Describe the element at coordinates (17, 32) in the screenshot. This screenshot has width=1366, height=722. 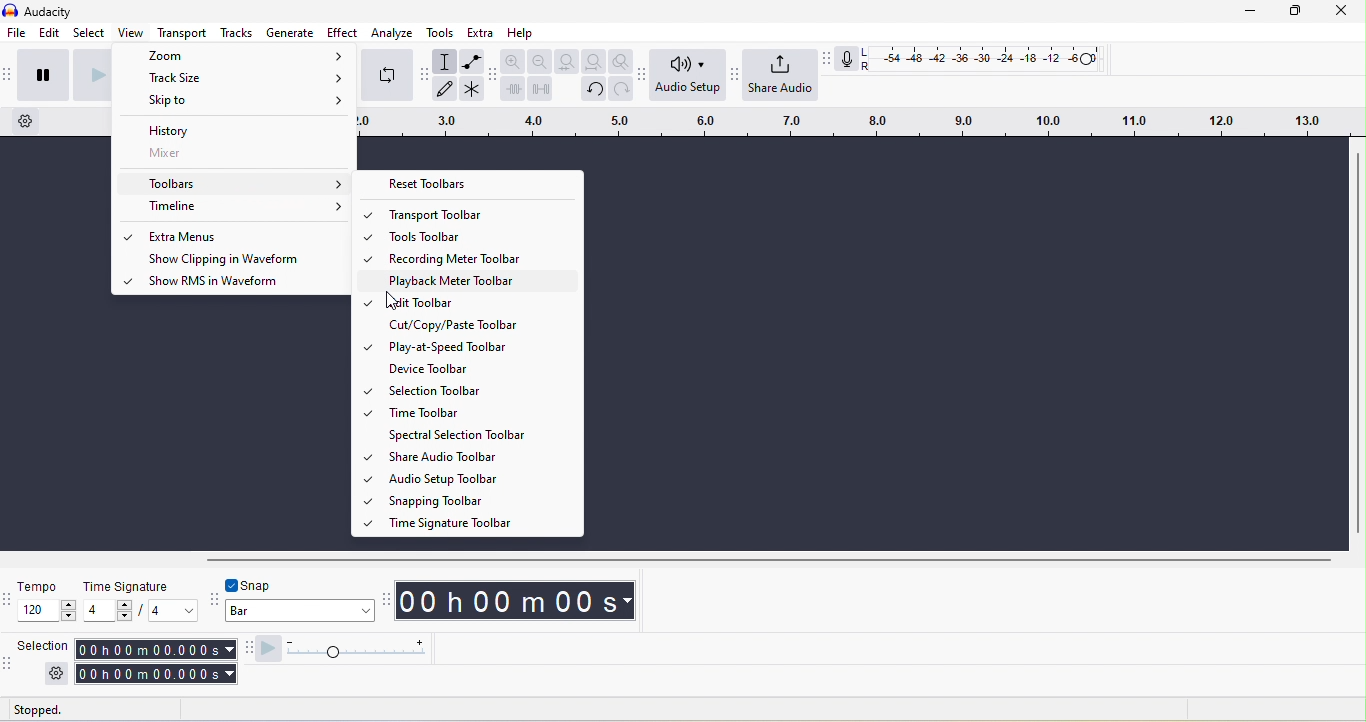
I see `file` at that location.